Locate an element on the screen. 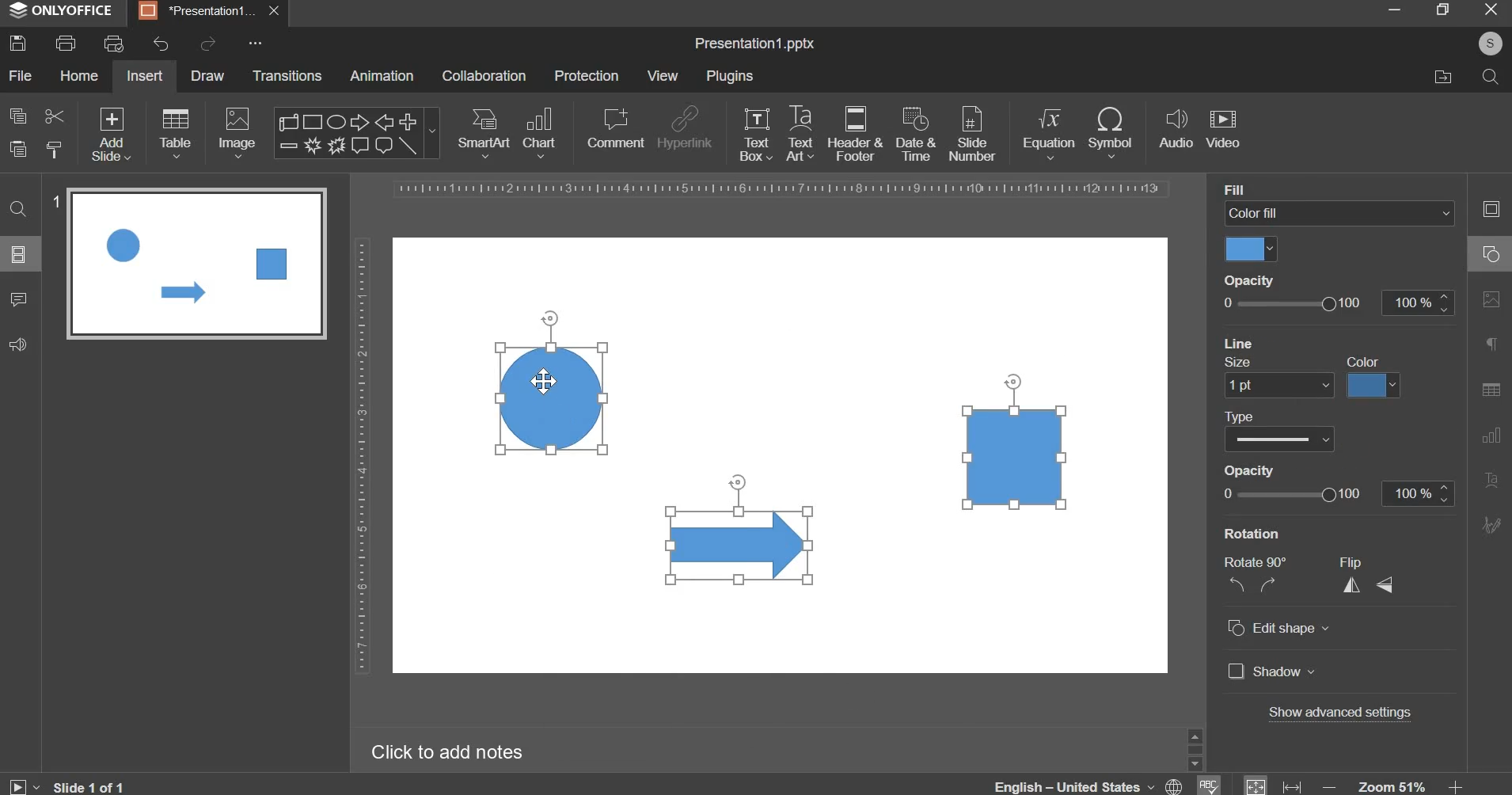 The height and width of the screenshot is (795, 1512). equation is located at coordinates (1048, 131).